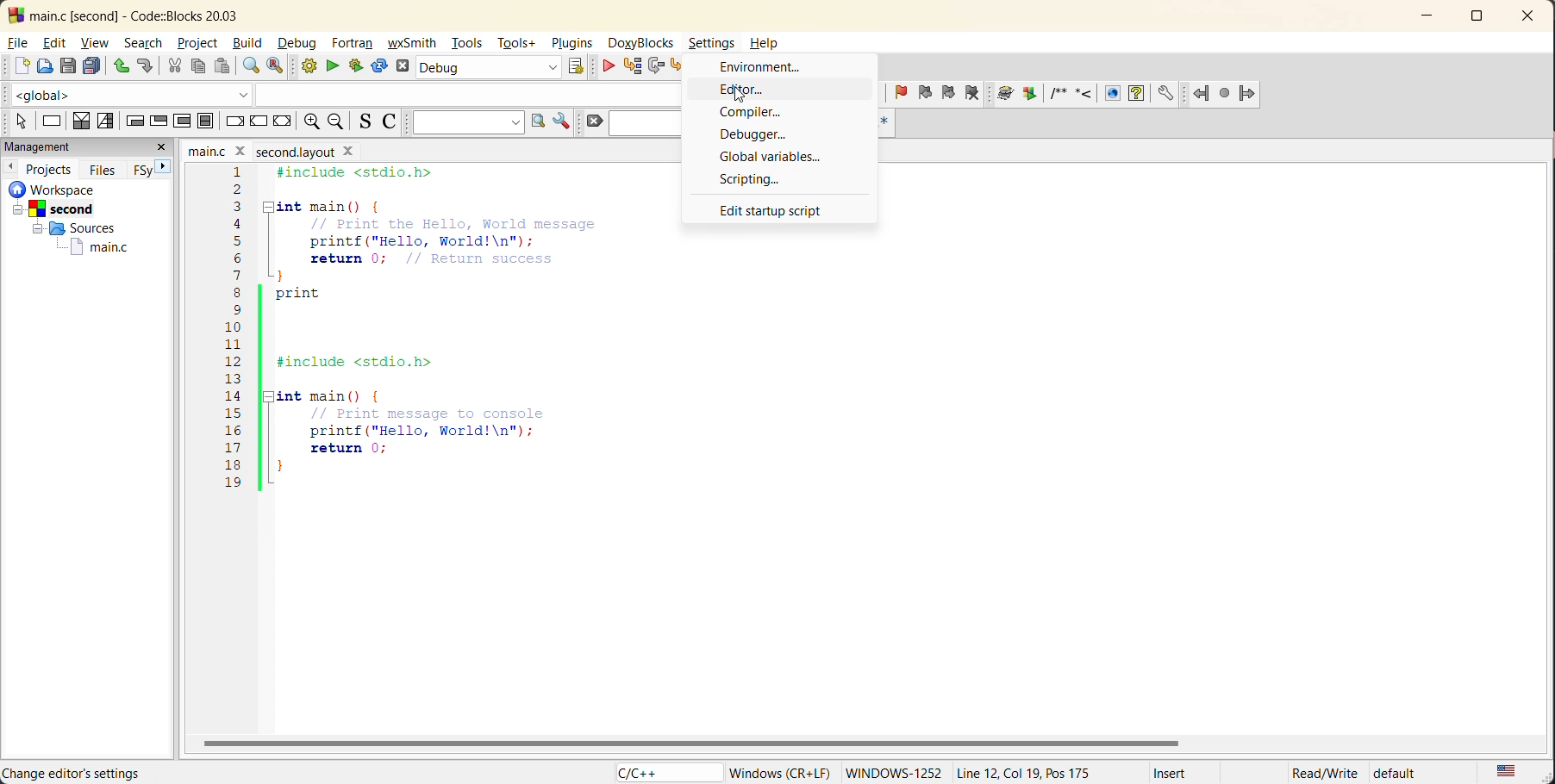 The height and width of the screenshot is (784, 1555). Describe the element at coordinates (1034, 773) in the screenshot. I see `Line 12, col 19, pos 175` at that location.